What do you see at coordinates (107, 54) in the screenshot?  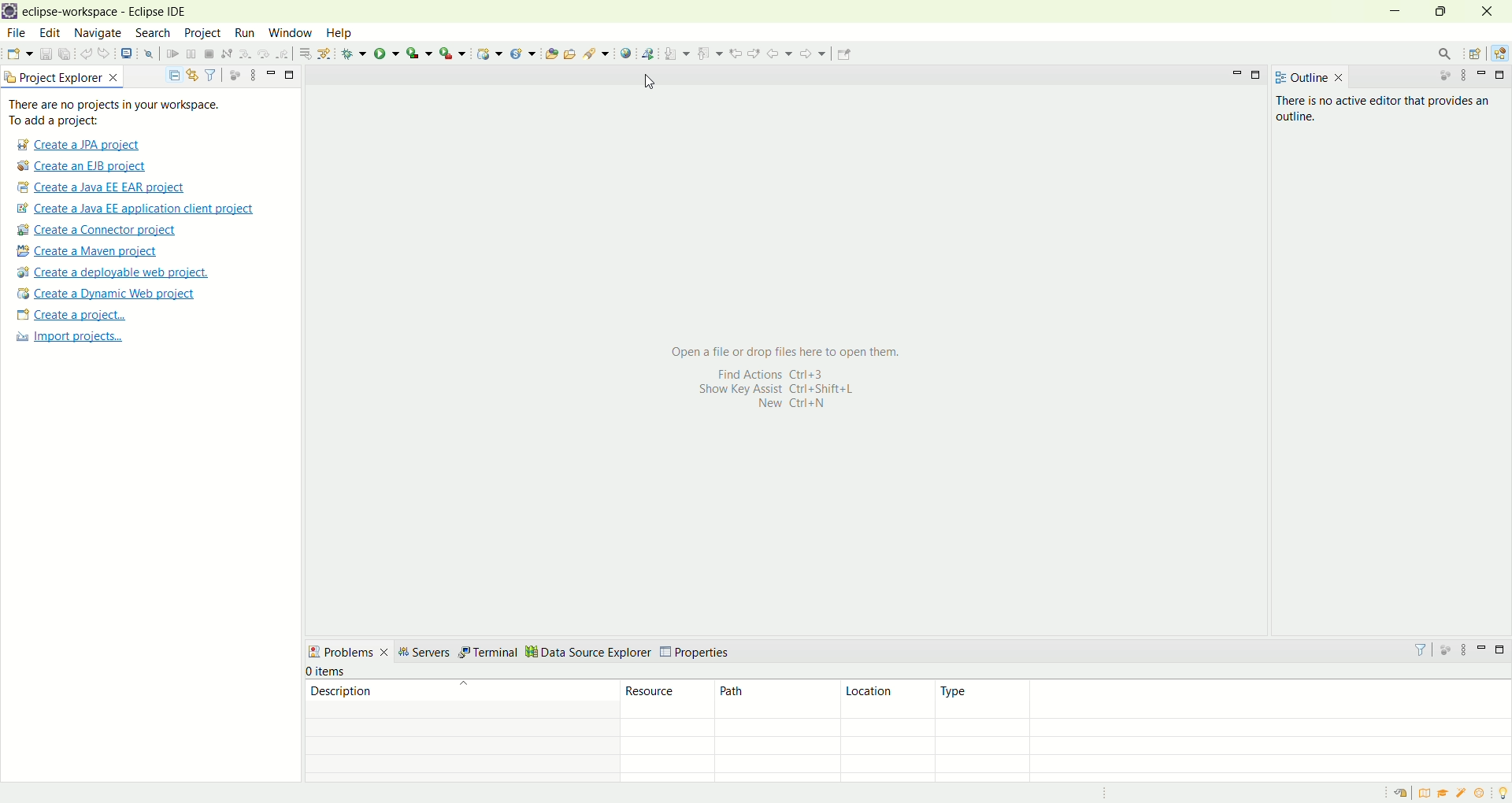 I see `redo` at bounding box center [107, 54].